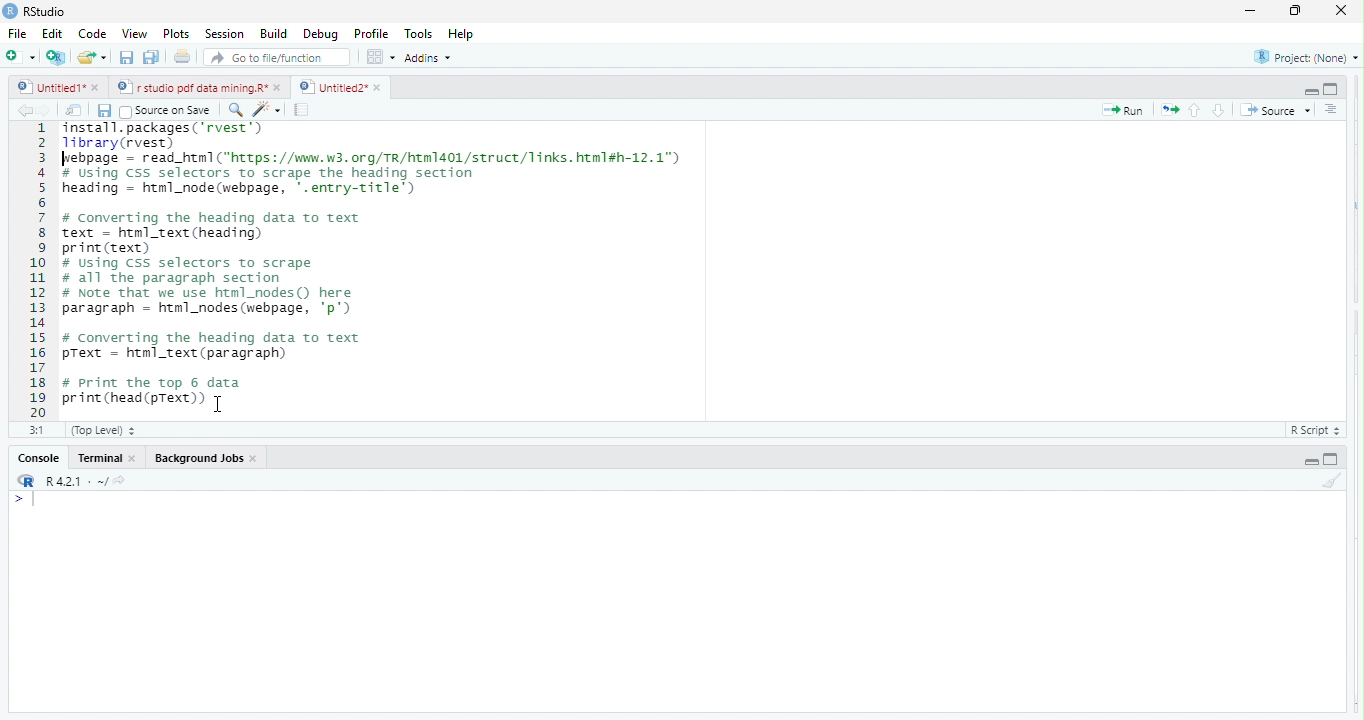  I want to click on hide r script, so click(1310, 461).